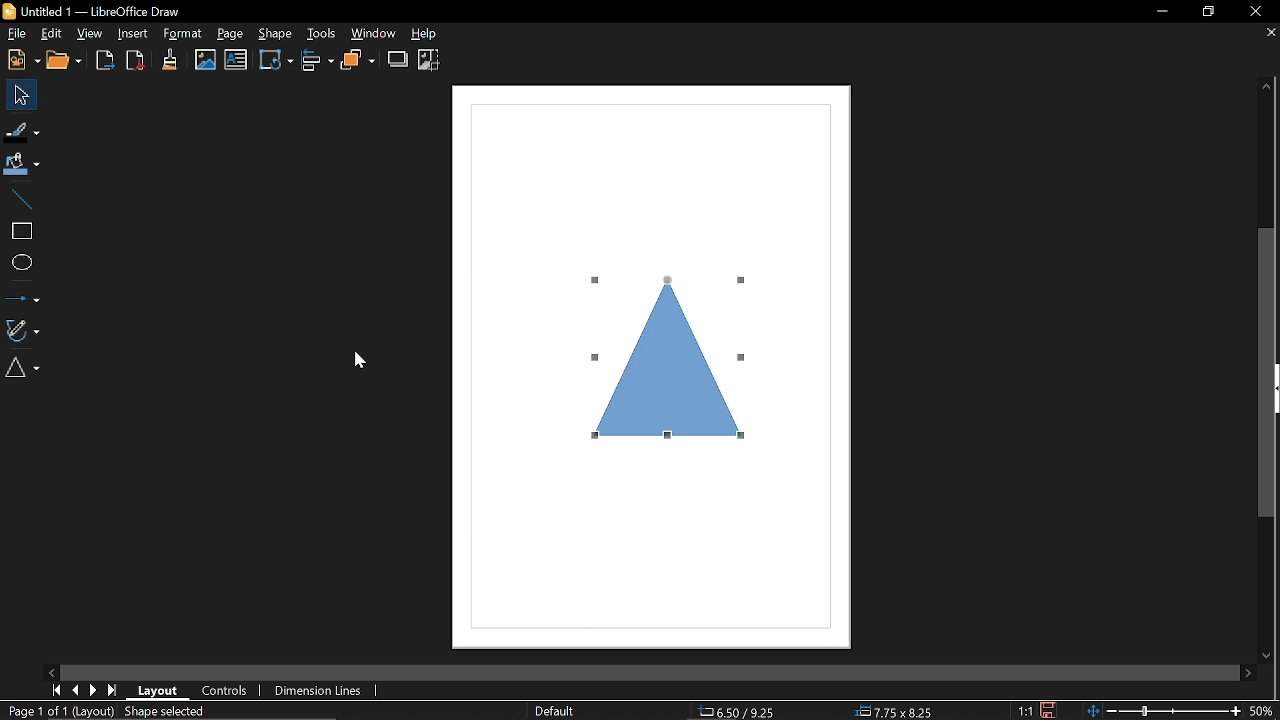 The width and height of the screenshot is (1280, 720). Describe the element at coordinates (16, 33) in the screenshot. I see `File` at that location.